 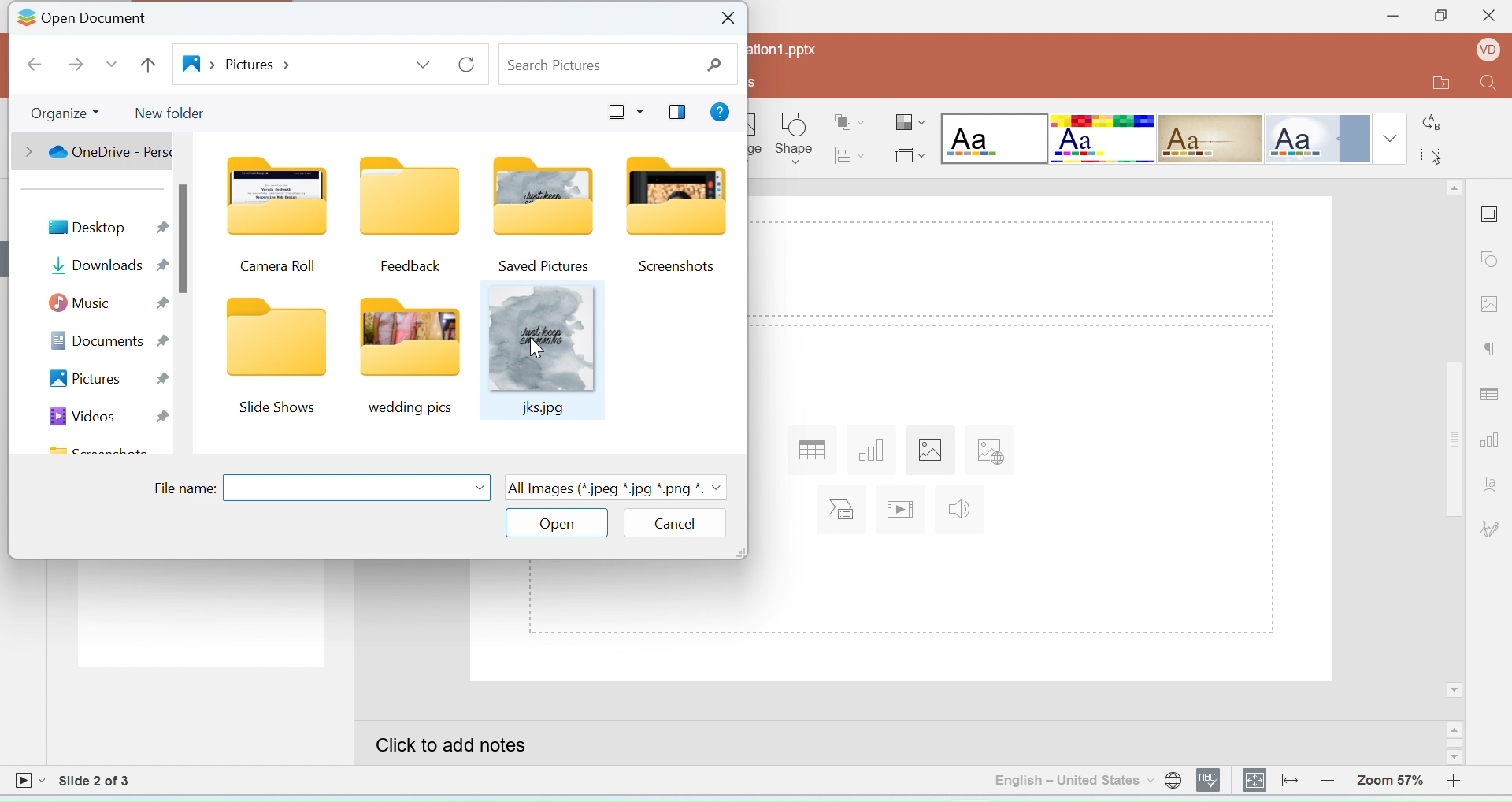 What do you see at coordinates (1488, 20) in the screenshot?
I see `Close` at bounding box center [1488, 20].